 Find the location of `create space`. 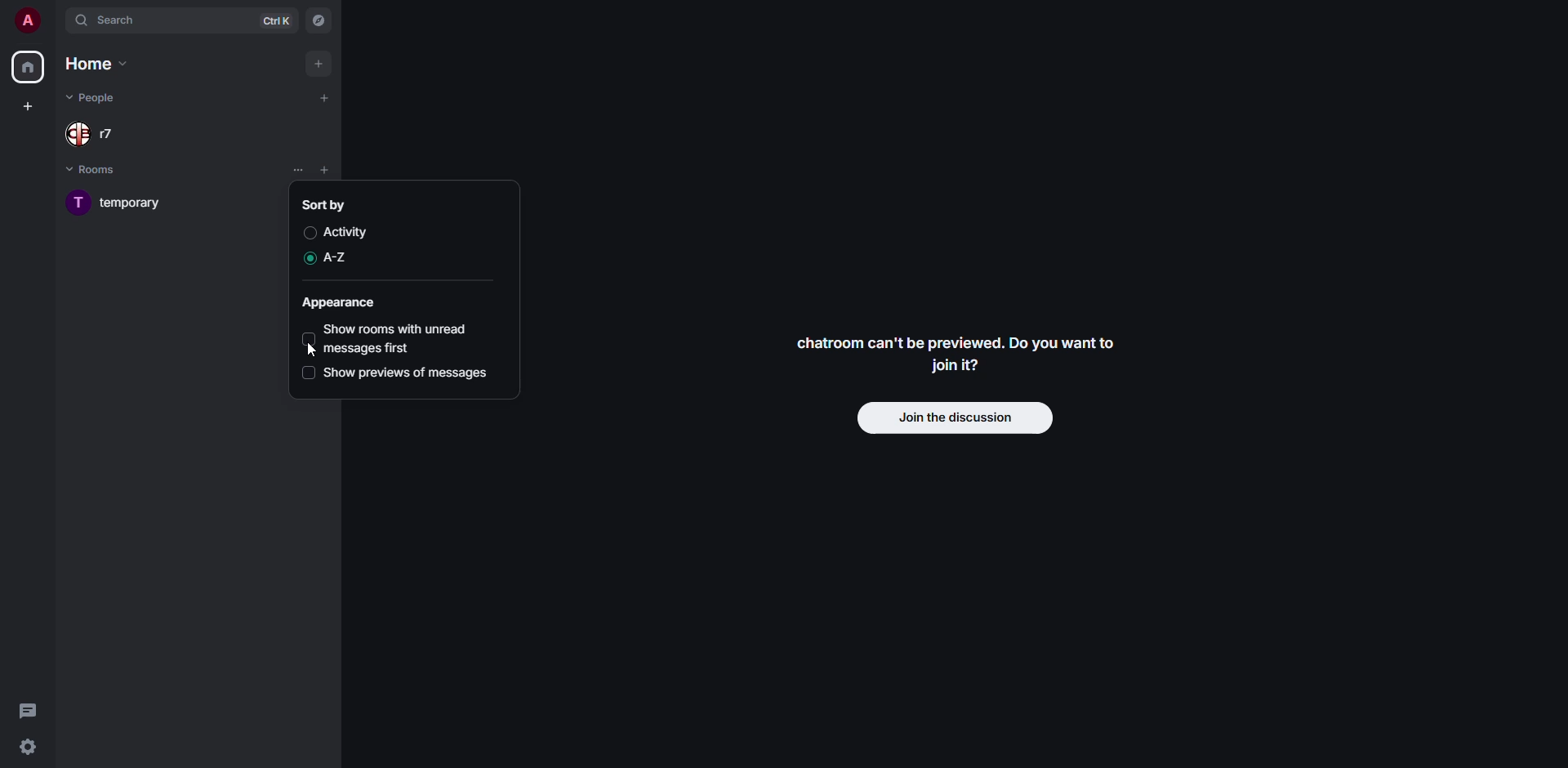

create space is located at coordinates (27, 105).